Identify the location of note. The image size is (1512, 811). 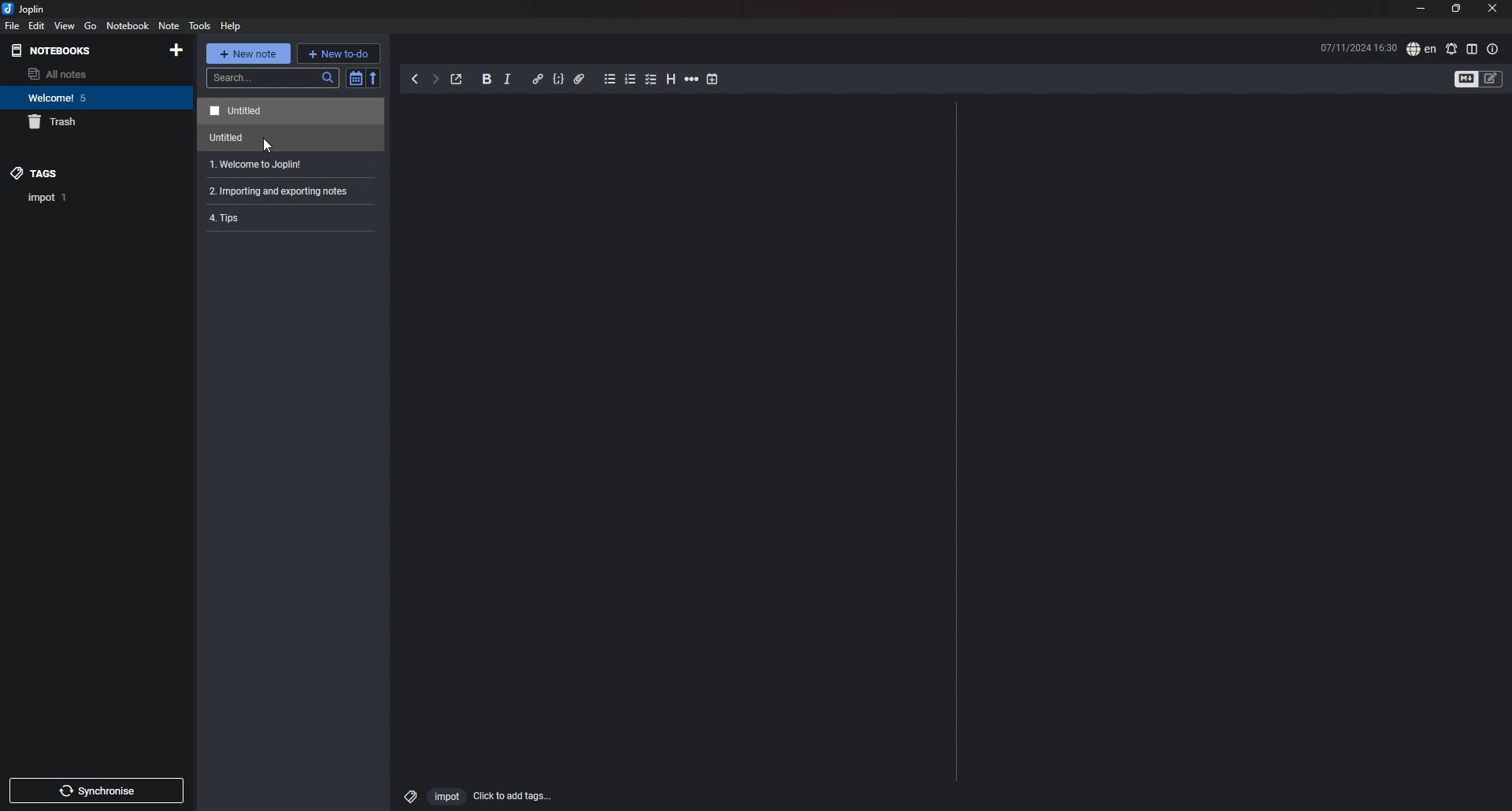
(287, 138).